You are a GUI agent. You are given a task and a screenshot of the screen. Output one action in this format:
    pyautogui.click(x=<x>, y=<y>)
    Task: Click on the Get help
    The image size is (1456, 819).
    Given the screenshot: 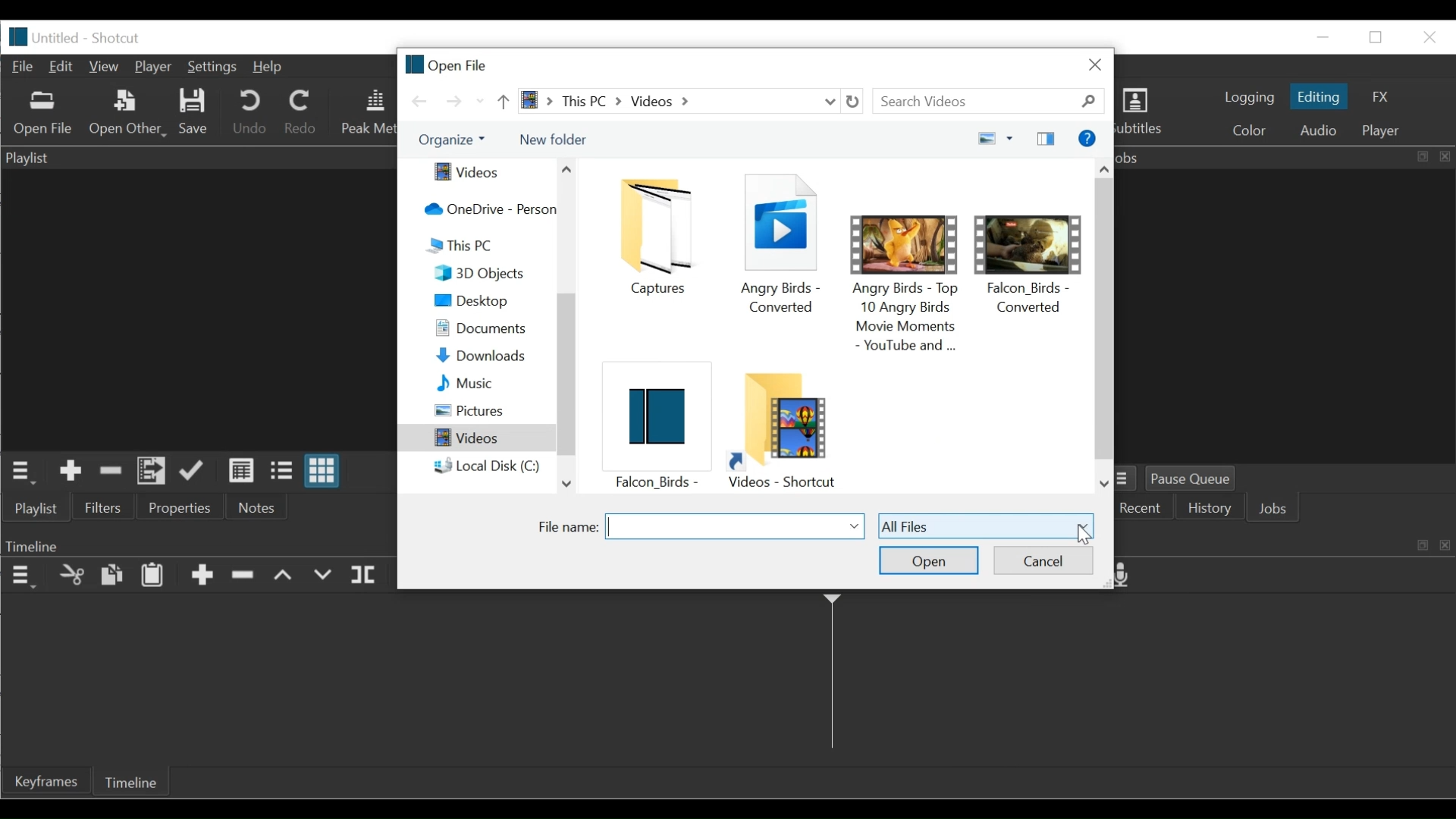 What is the action you would take?
    pyautogui.click(x=1086, y=138)
    